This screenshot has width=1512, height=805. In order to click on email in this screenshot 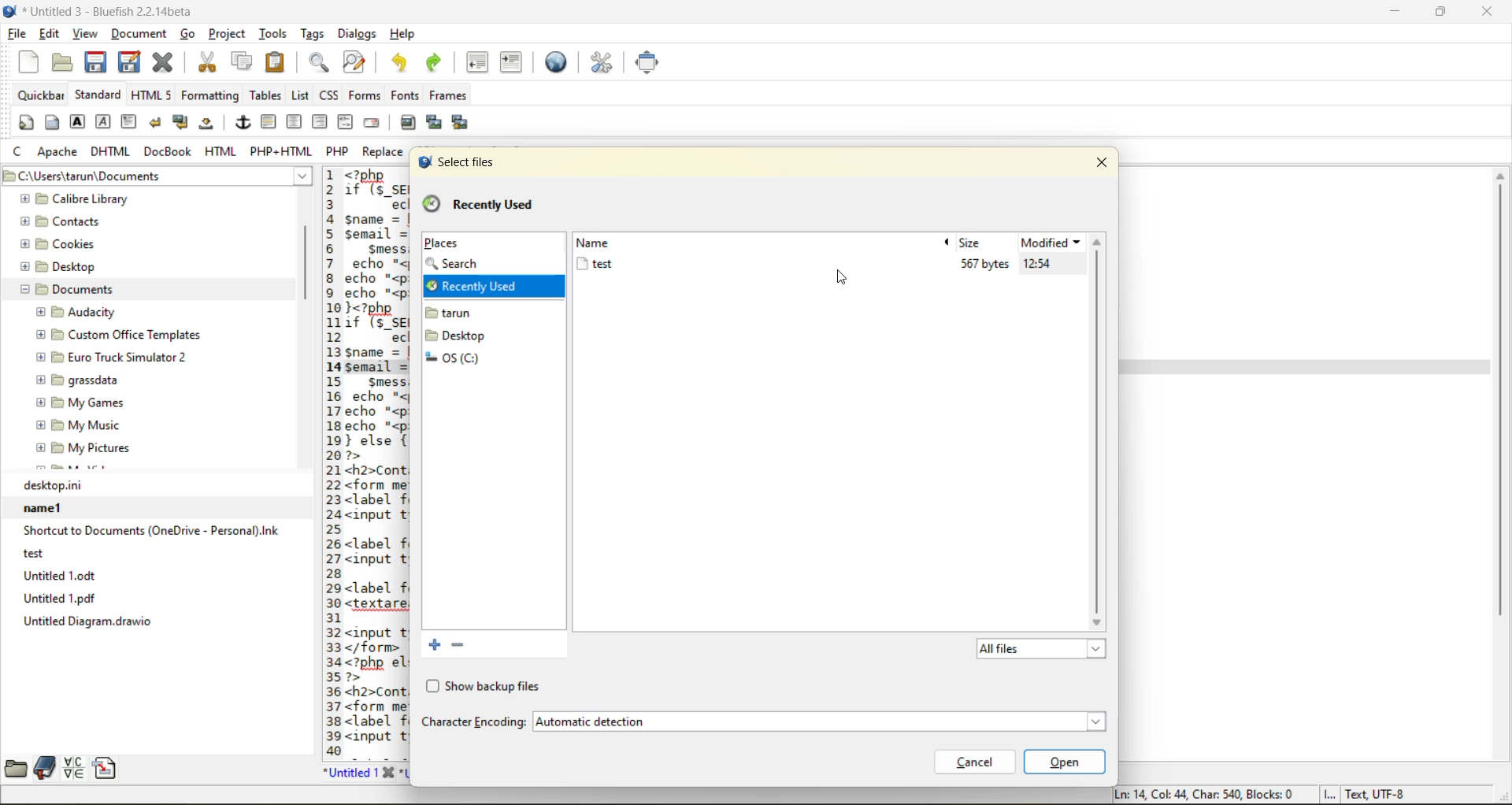, I will do `click(374, 122)`.